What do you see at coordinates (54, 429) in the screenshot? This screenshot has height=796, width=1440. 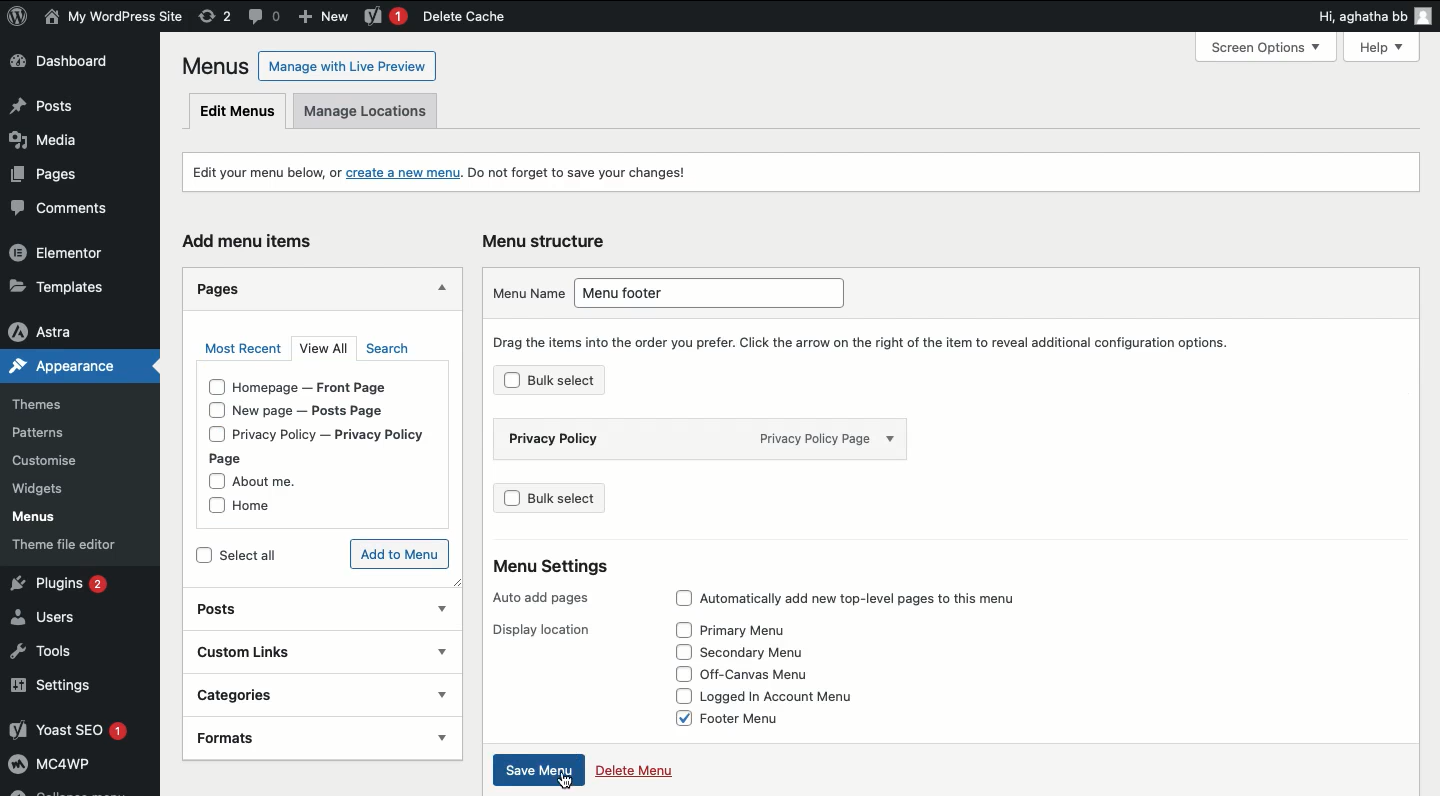 I see `Patterns` at bounding box center [54, 429].